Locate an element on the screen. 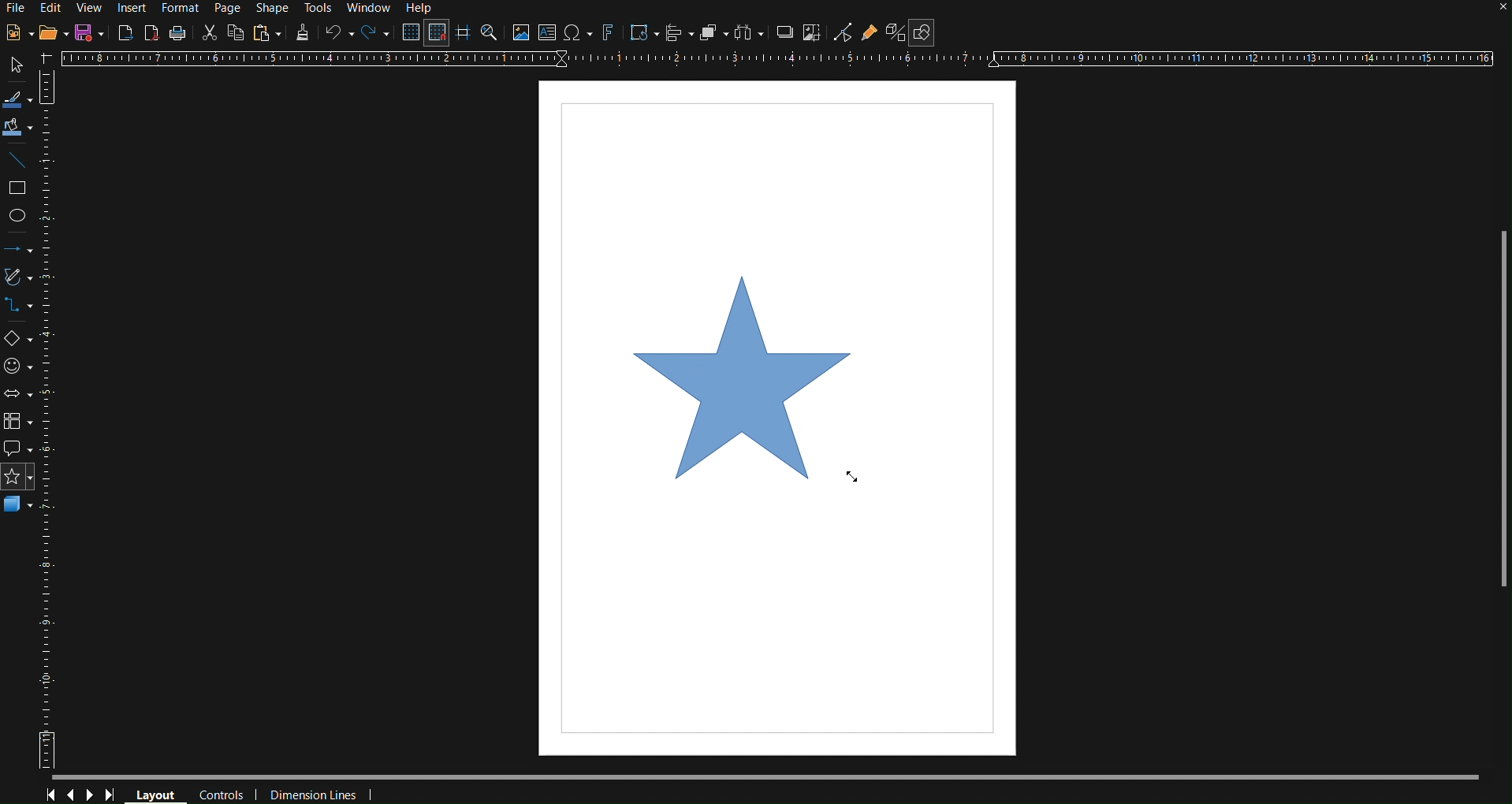  Shadow is located at coordinates (782, 35).